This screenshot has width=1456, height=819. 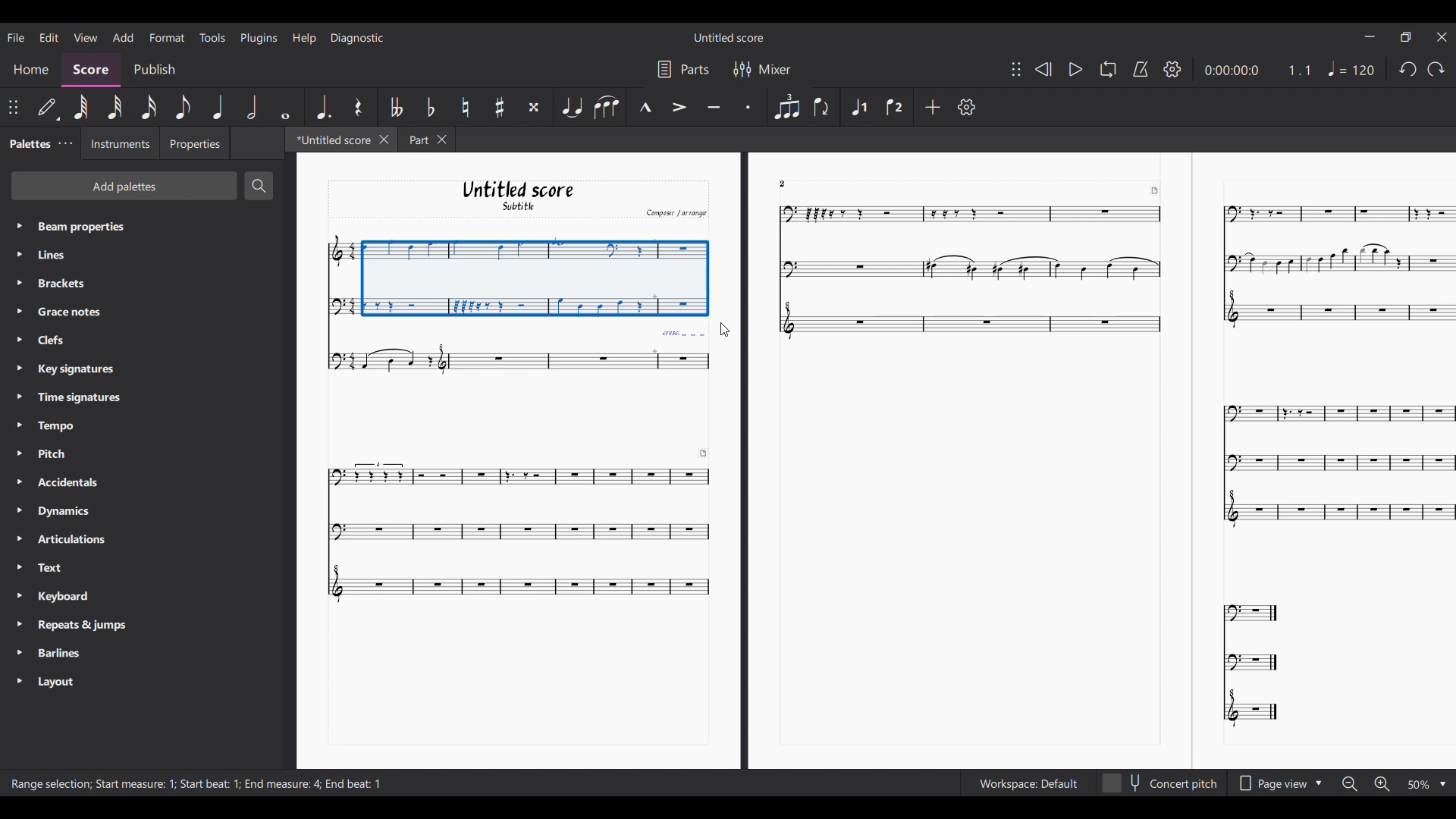 I want to click on , so click(x=17, y=253).